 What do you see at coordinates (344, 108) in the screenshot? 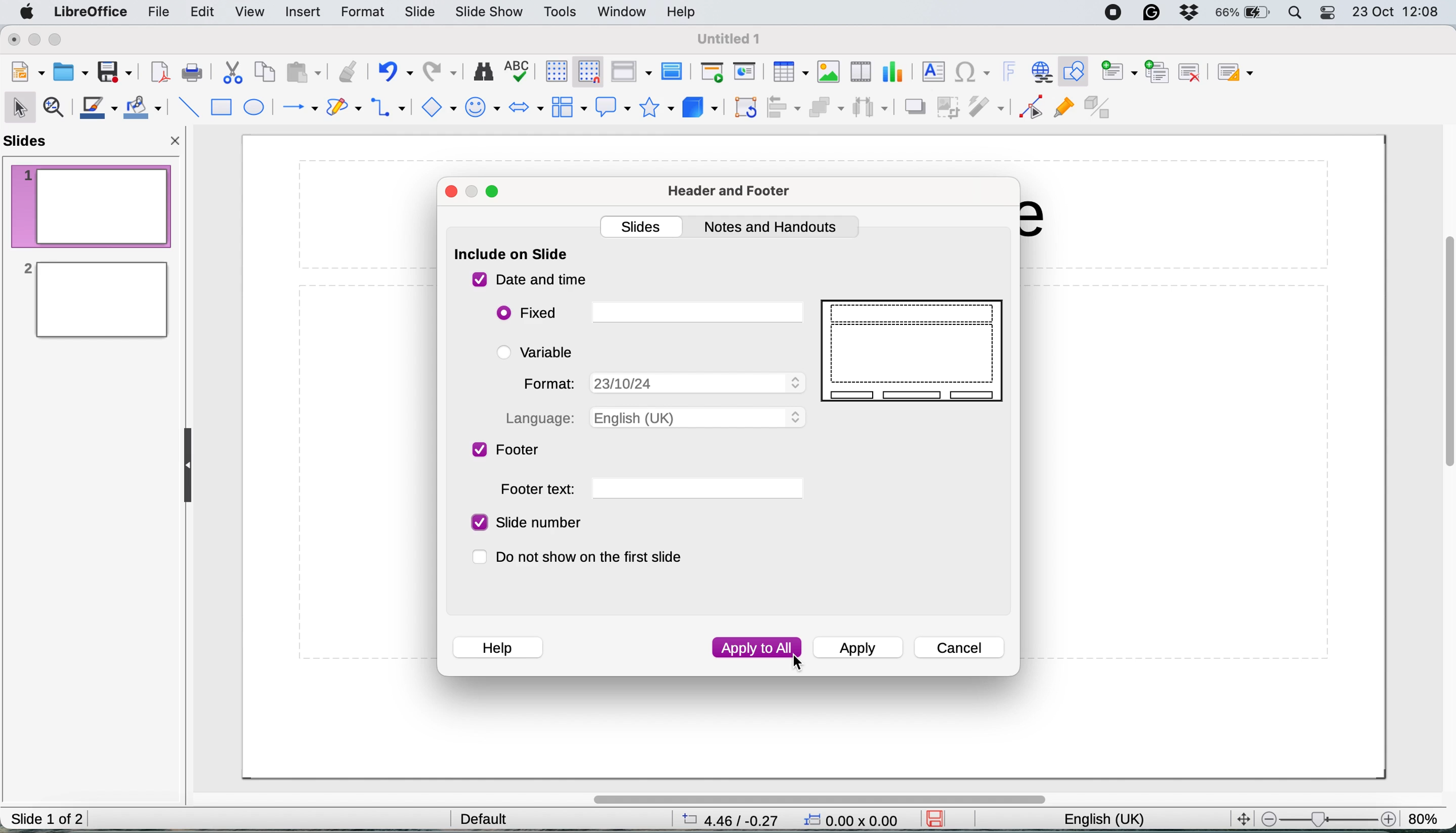
I see `draw shapes` at bounding box center [344, 108].